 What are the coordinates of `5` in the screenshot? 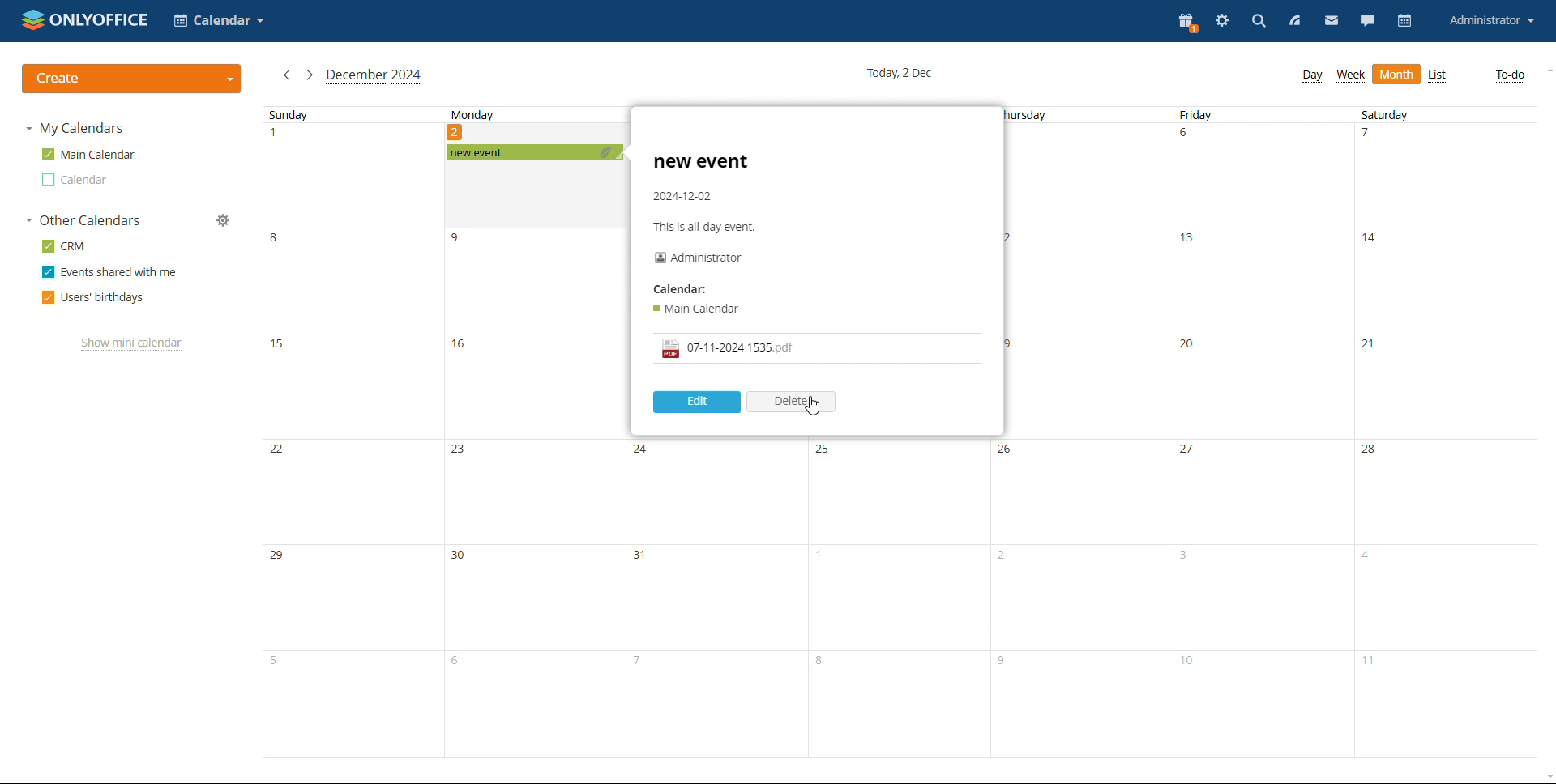 It's located at (276, 660).